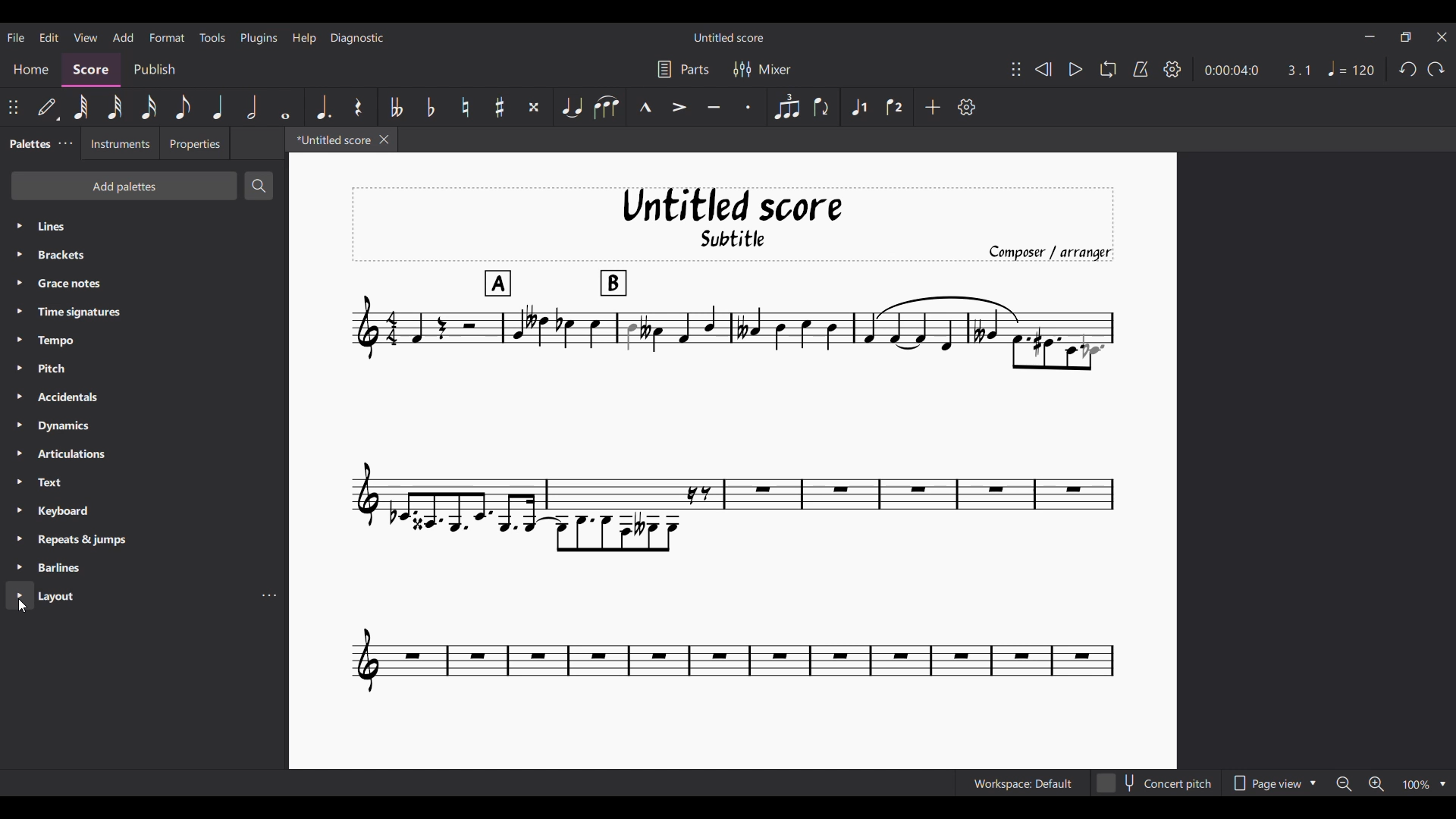 The height and width of the screenshot is (819, 1456). What do you see at coordinates (732, 441) in the screenshot?
I see `Current score` at bounding box center [732, 441].